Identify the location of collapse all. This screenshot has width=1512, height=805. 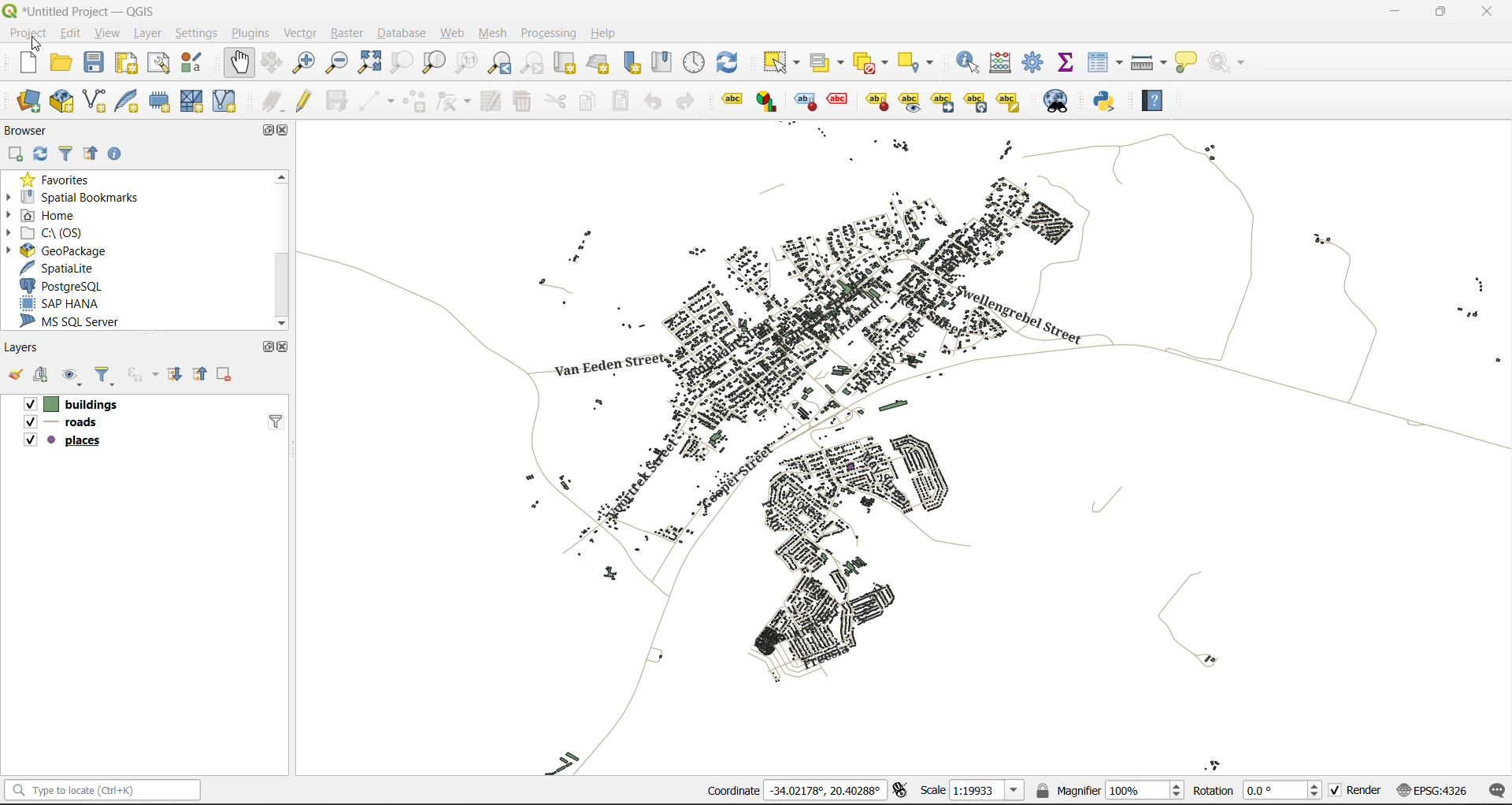
(91, 155).